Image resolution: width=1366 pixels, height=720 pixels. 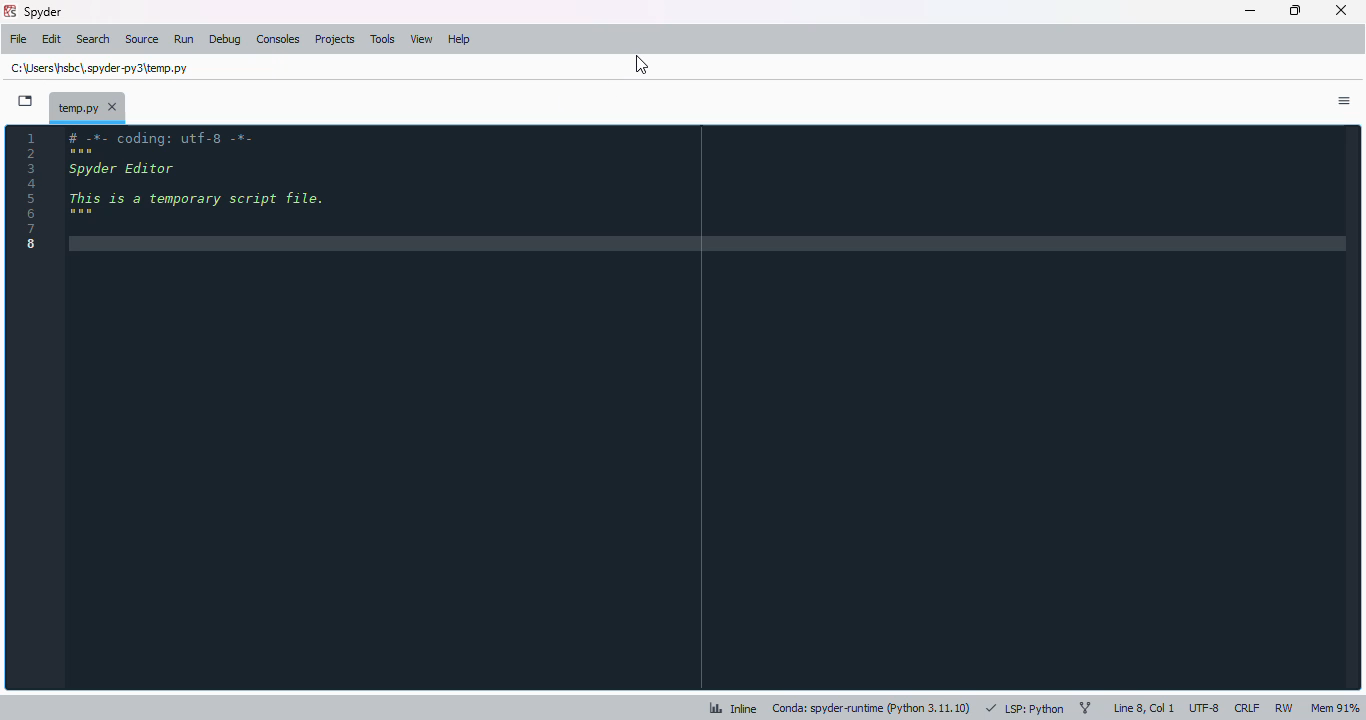 What do you see at coordinates (278, 38) in the screenshot?
I see `consoles` at bounding box center [278, 38].